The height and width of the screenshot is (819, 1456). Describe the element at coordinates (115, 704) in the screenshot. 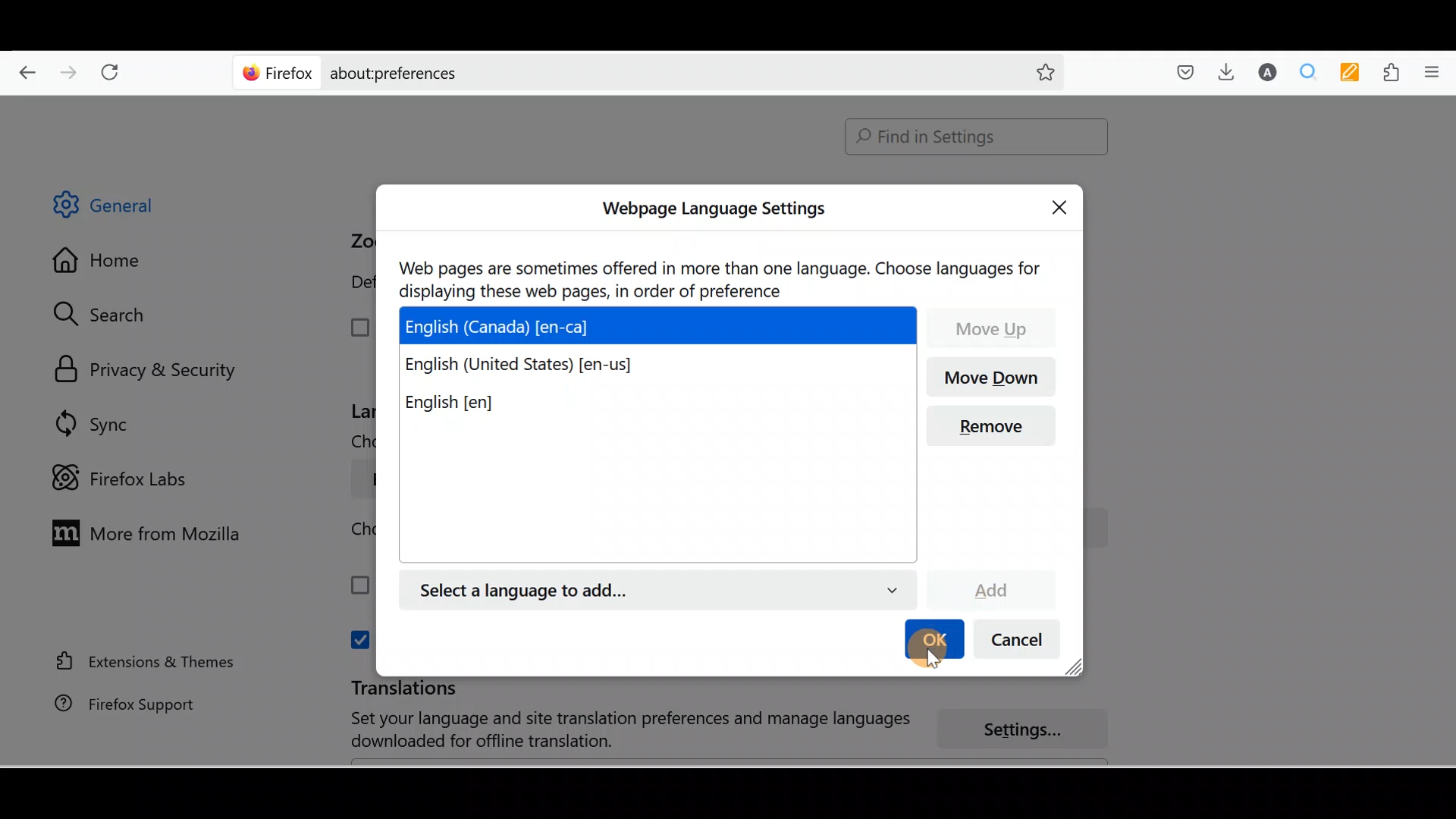

I see `Firefox support` at that location.